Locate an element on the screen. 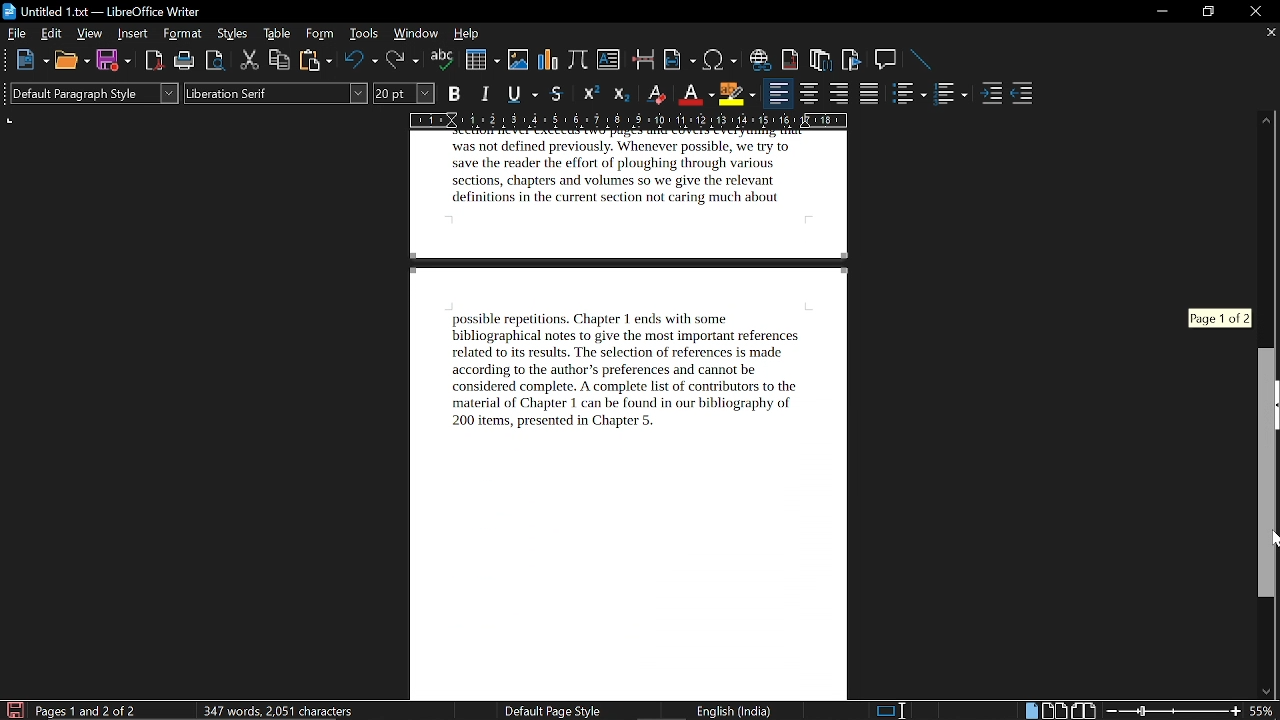 This screenshot has width=1280, height=720. print is located at coordinates (184, 61).